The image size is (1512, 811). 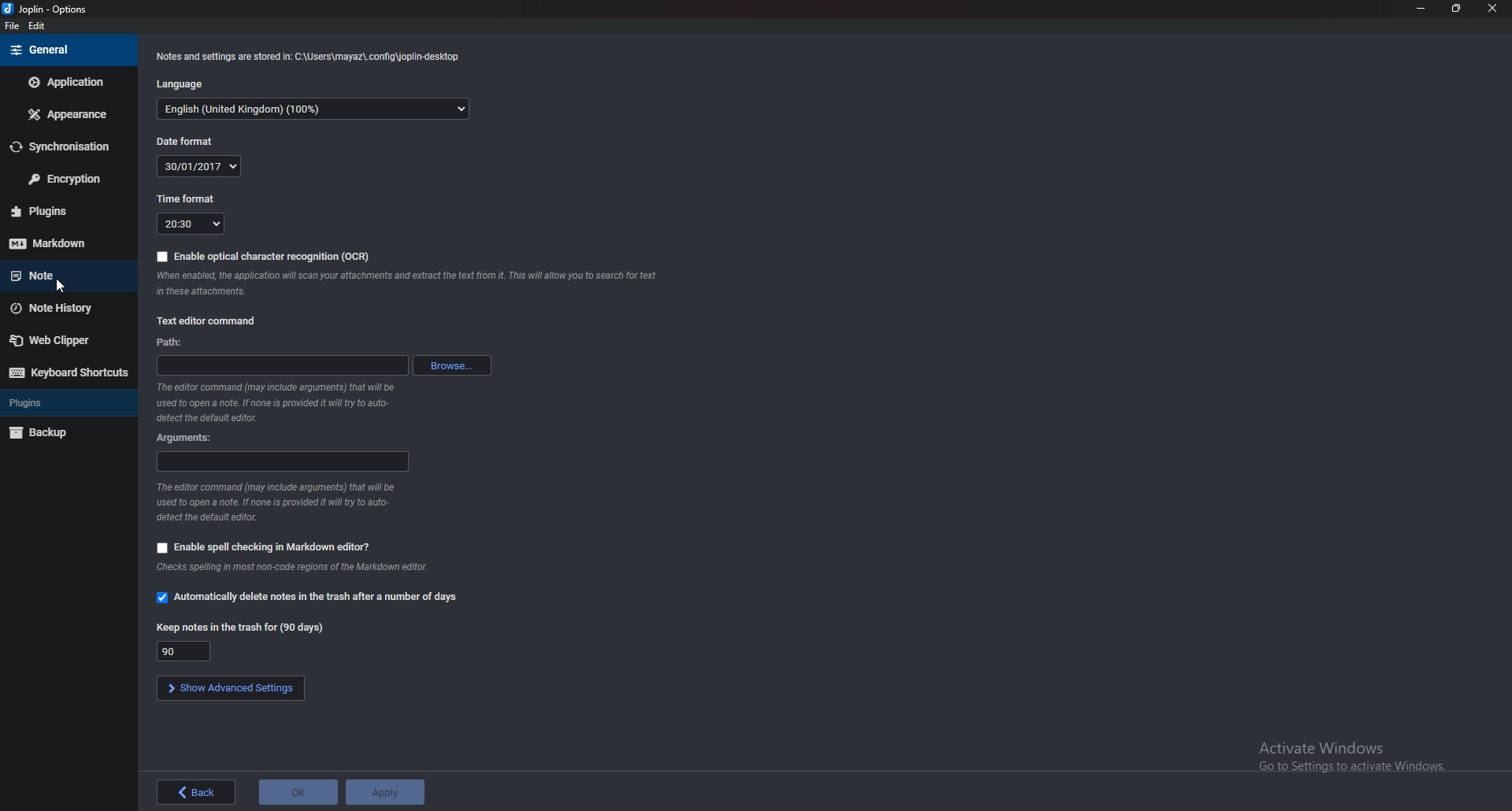 I want to click on file, so click(x=15, y=28).